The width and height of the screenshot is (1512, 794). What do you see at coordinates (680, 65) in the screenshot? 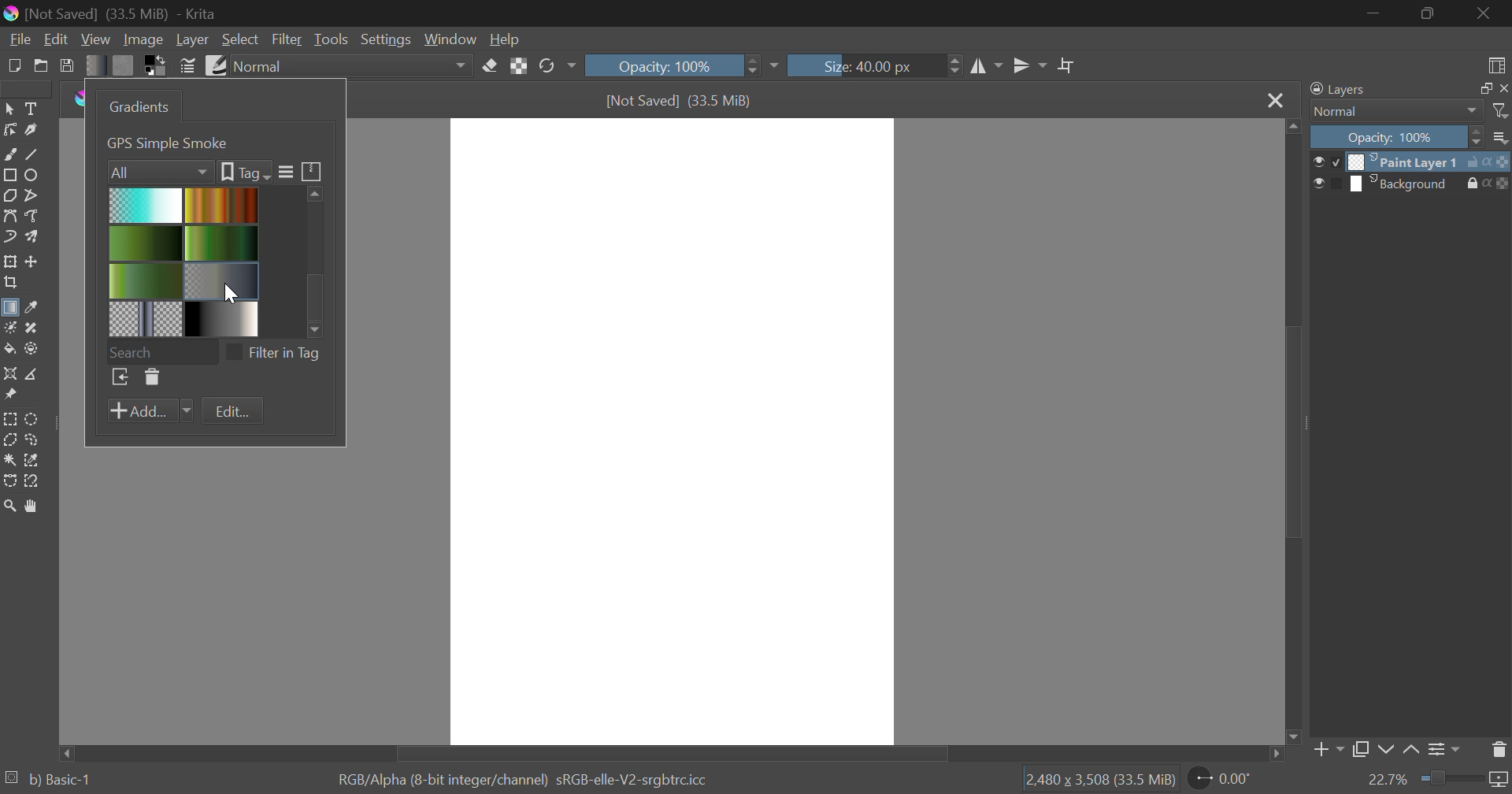
I see `Opacity: 100%` at bounding box center [680, 65].